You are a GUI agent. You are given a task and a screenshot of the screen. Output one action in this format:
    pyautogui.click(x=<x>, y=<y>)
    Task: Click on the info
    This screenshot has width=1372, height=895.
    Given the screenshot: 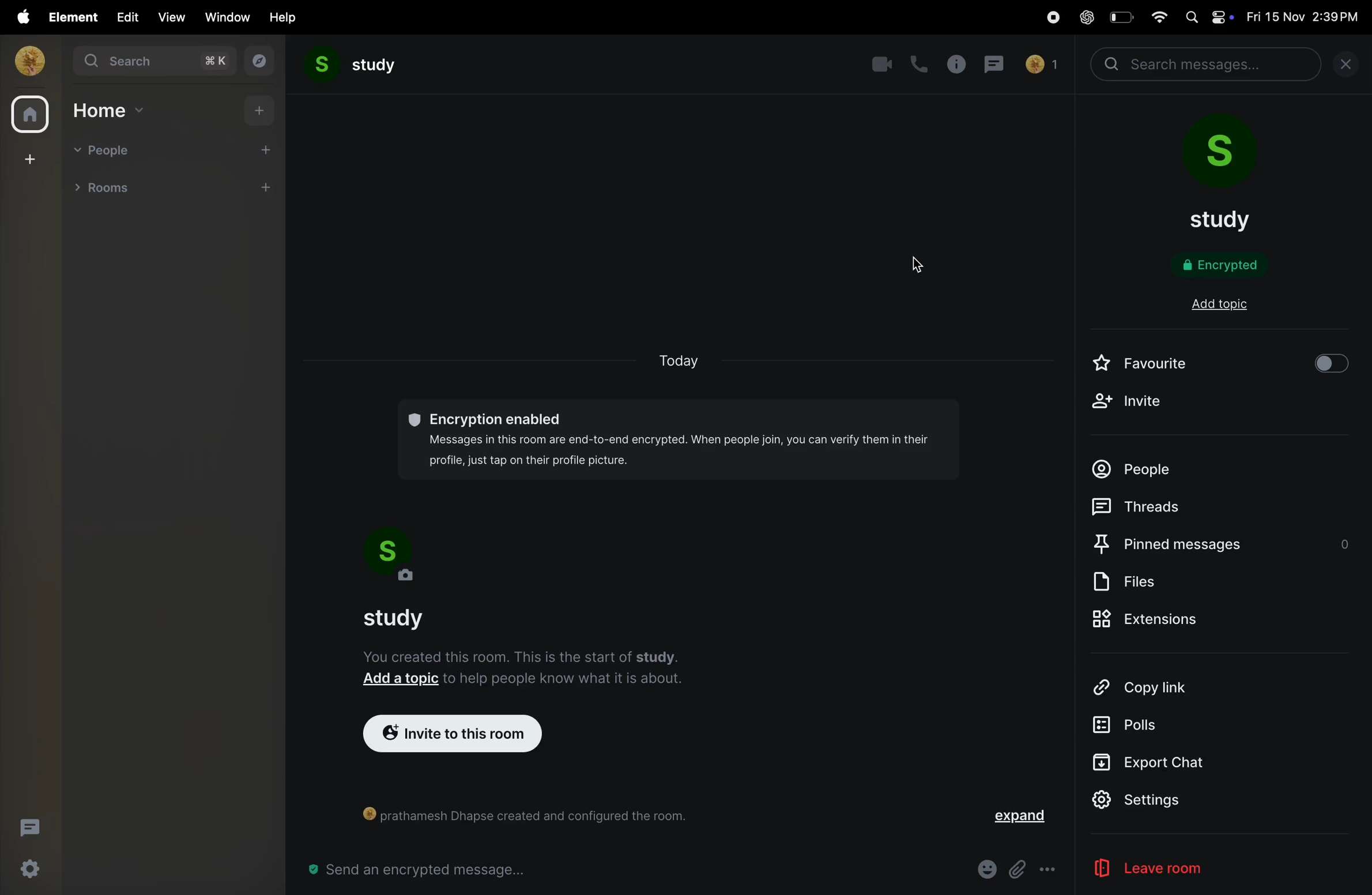 What is the action you would take?
    pyautogui.click(x=956, y=65)
    